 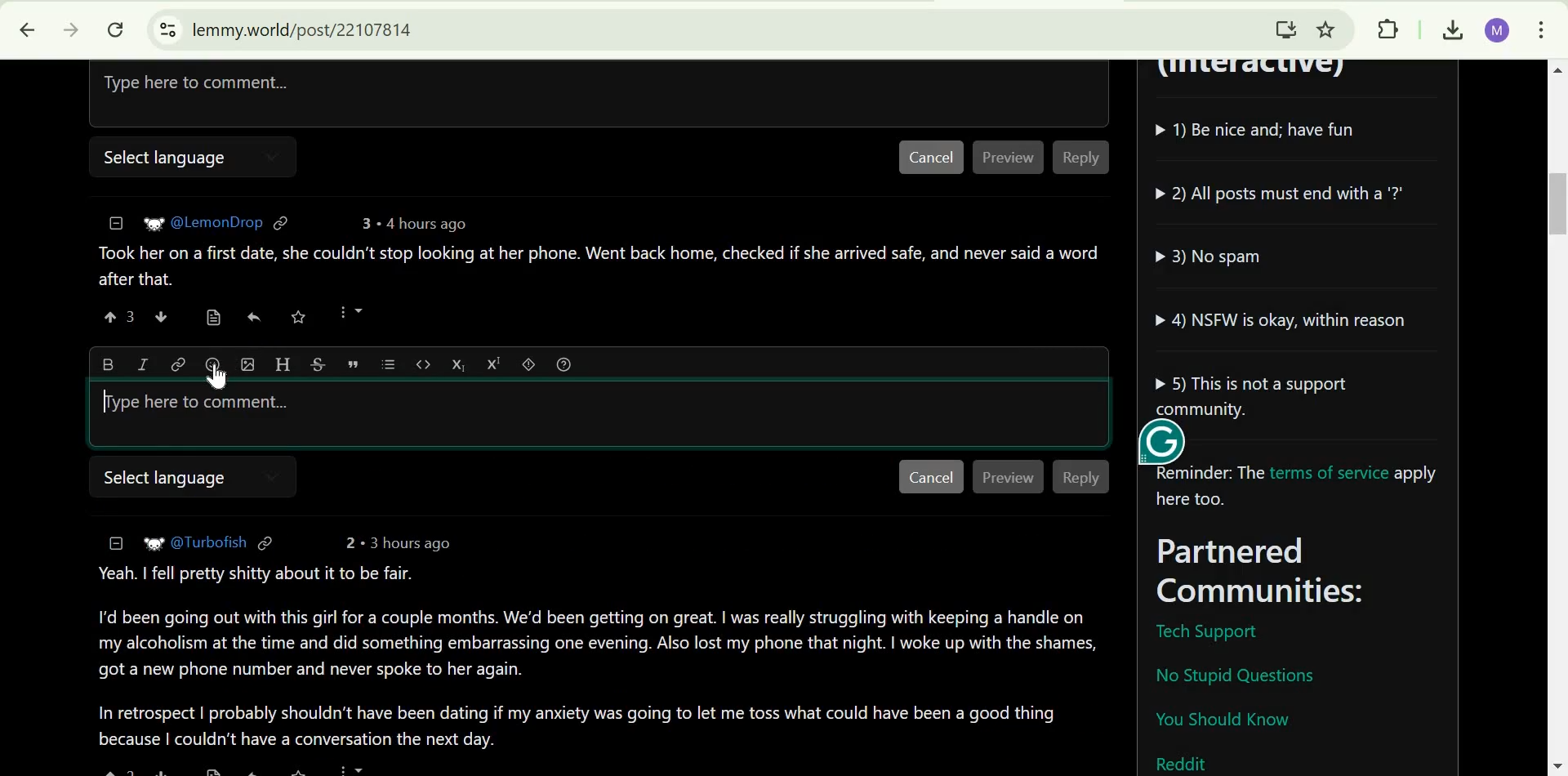 What do you see at coordinates (456, 363) in the screenshot?
I see `subscript` at bounding box center [456, 363].